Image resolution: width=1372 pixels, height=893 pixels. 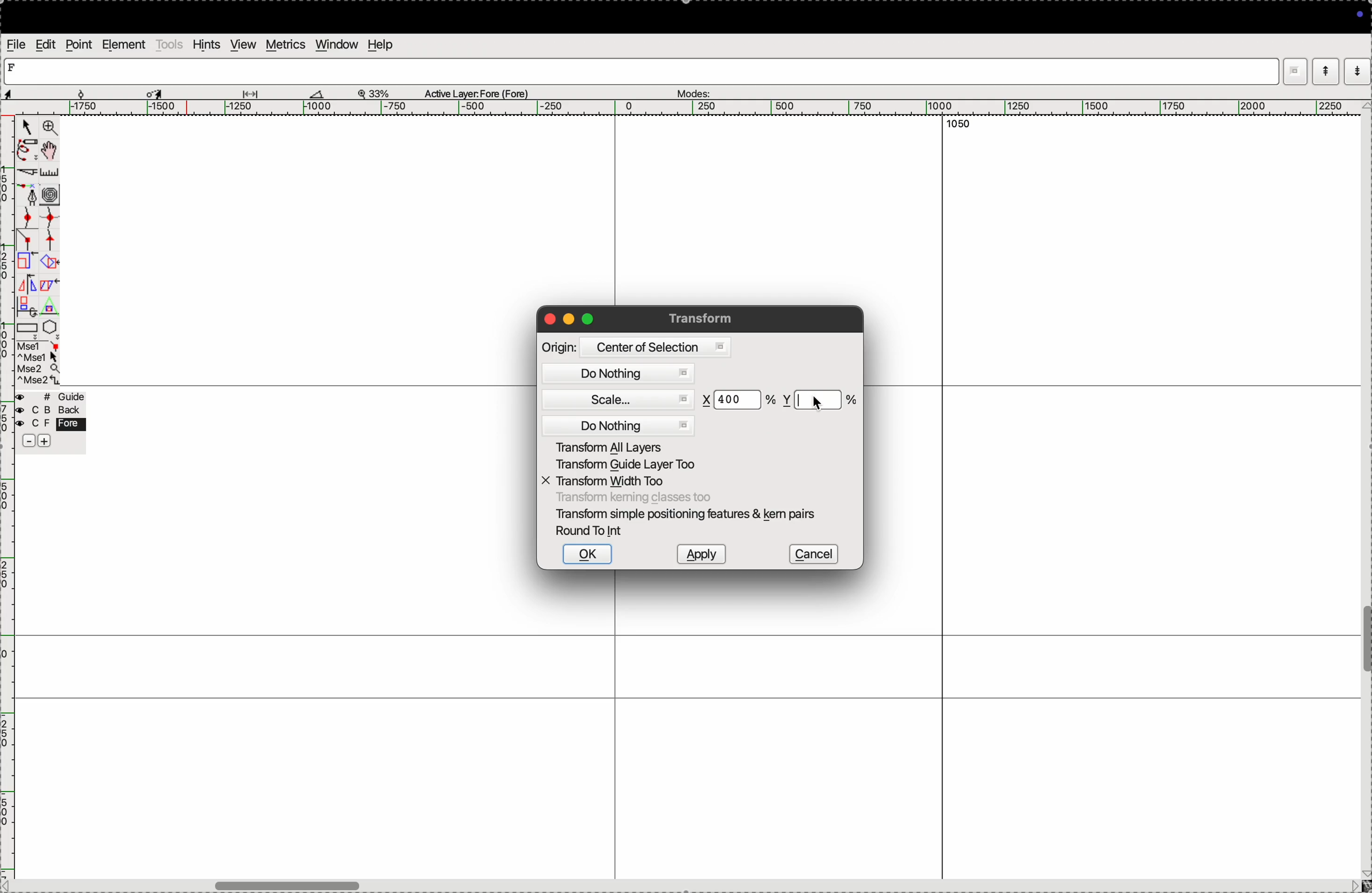 I want to click on point curve, so click(x=28, y=217).